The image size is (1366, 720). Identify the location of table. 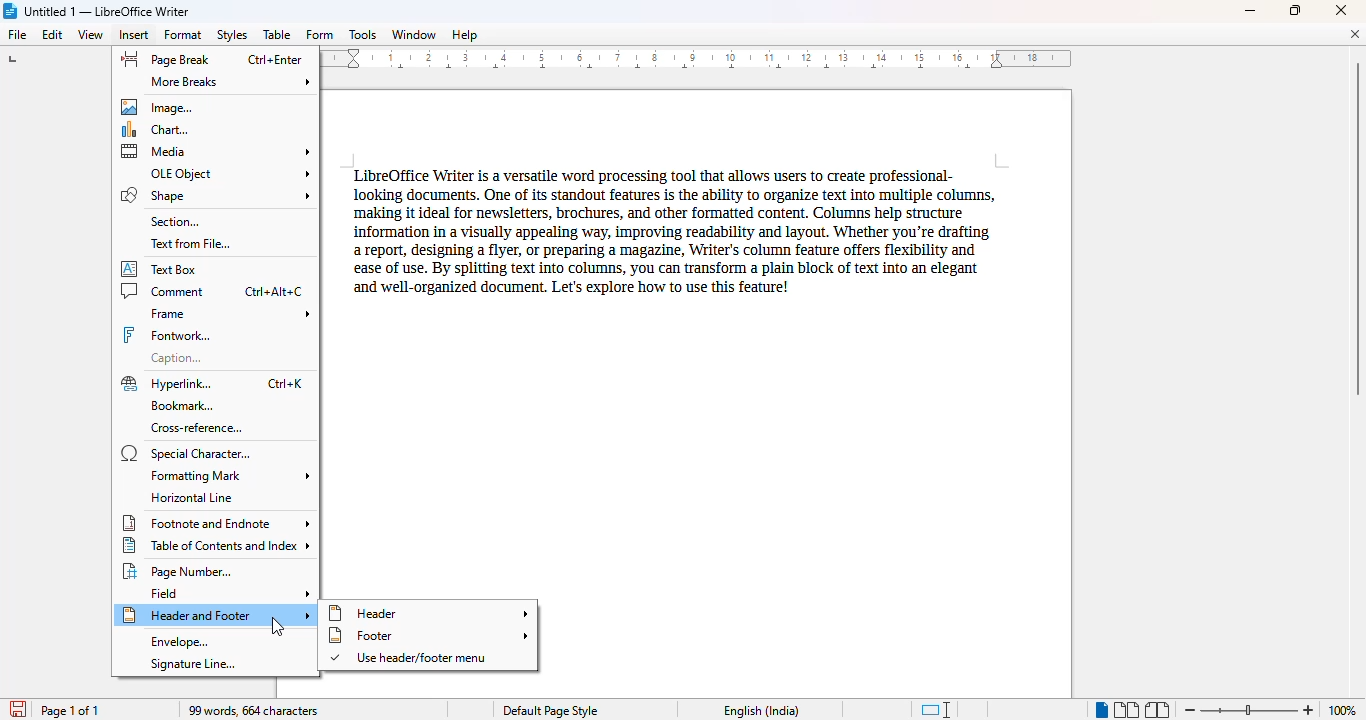
(277, 35).